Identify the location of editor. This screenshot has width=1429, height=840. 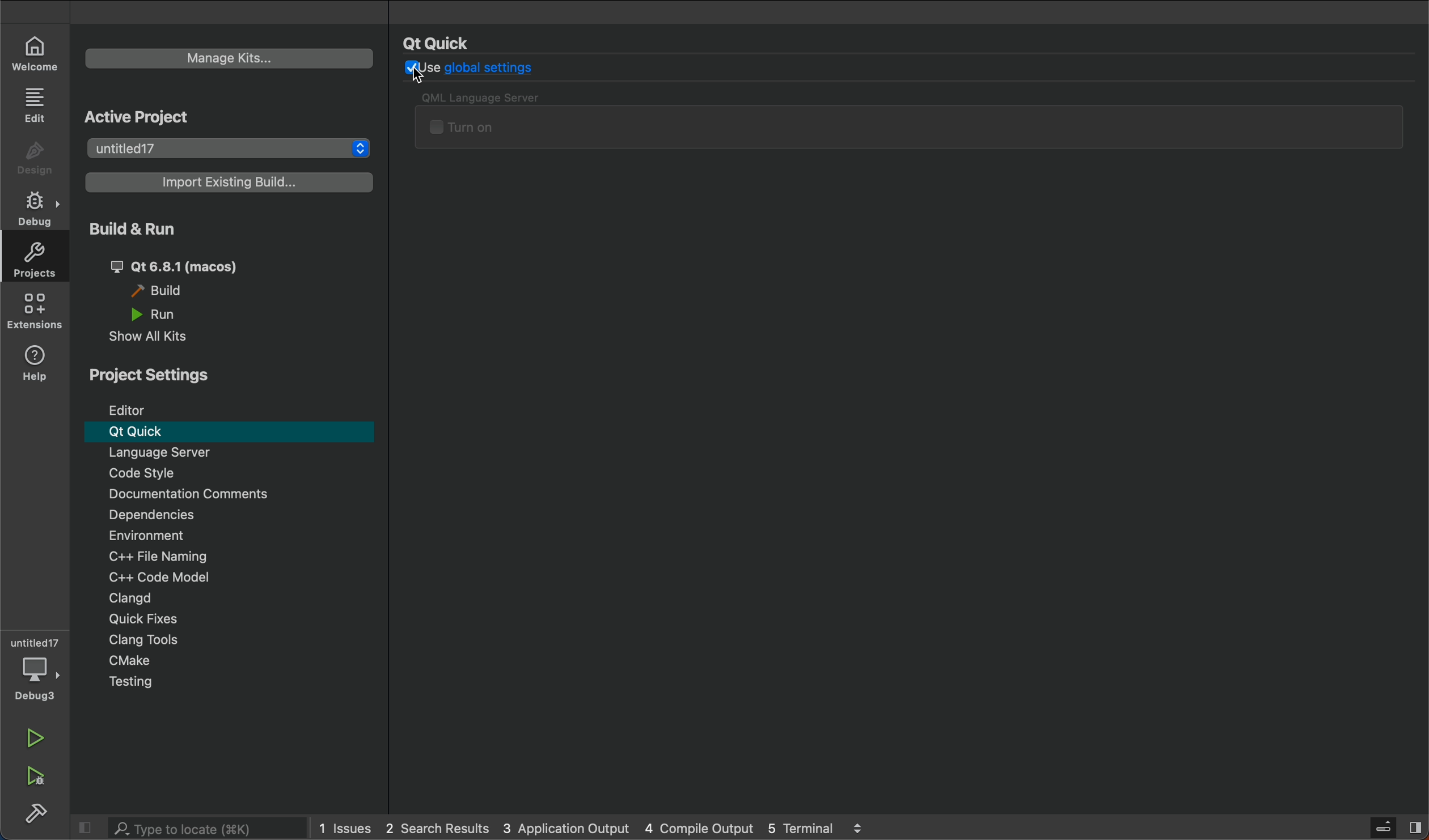
(234, 408).